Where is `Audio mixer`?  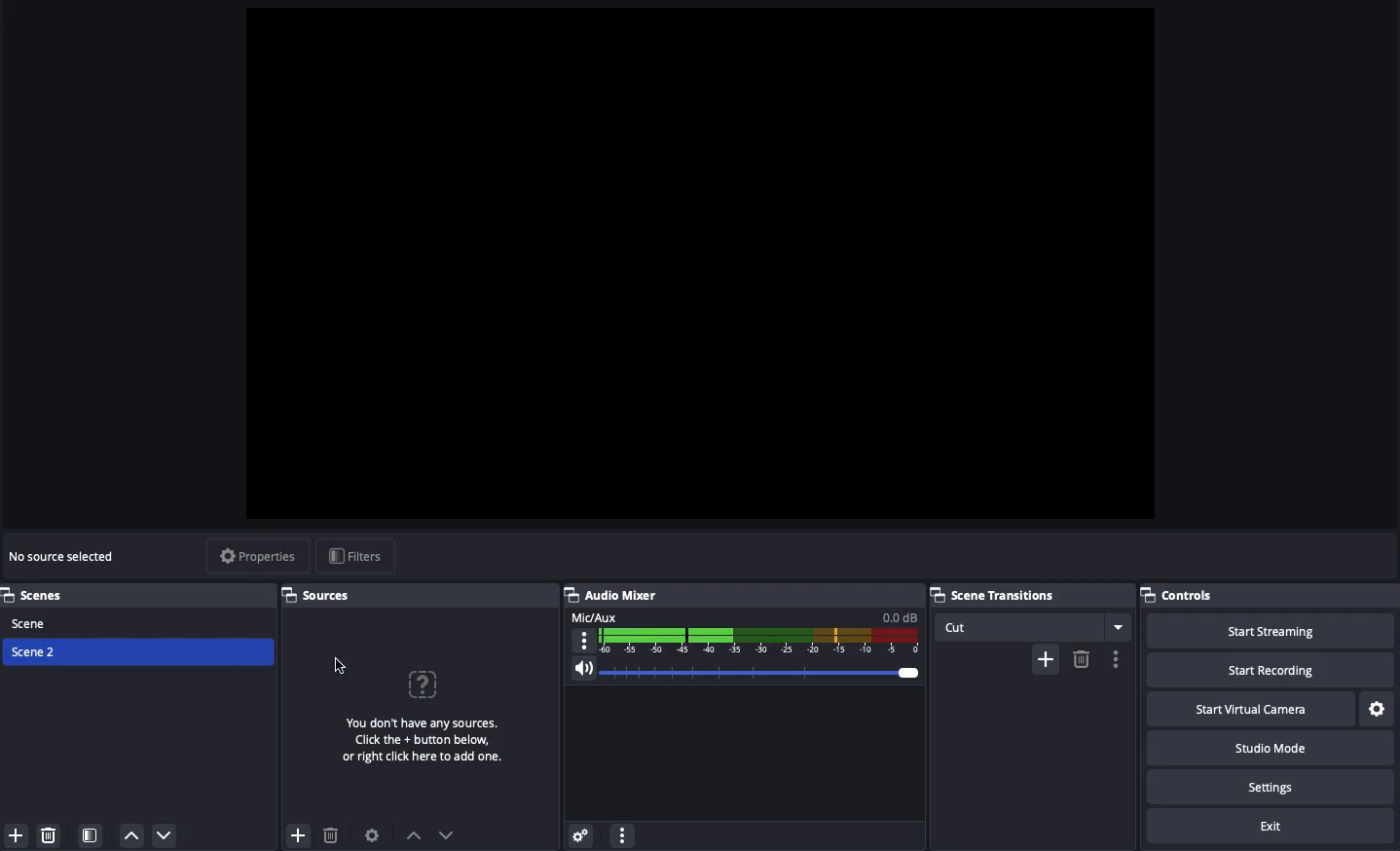 Audio mixer is located at coordinates (613, 595).